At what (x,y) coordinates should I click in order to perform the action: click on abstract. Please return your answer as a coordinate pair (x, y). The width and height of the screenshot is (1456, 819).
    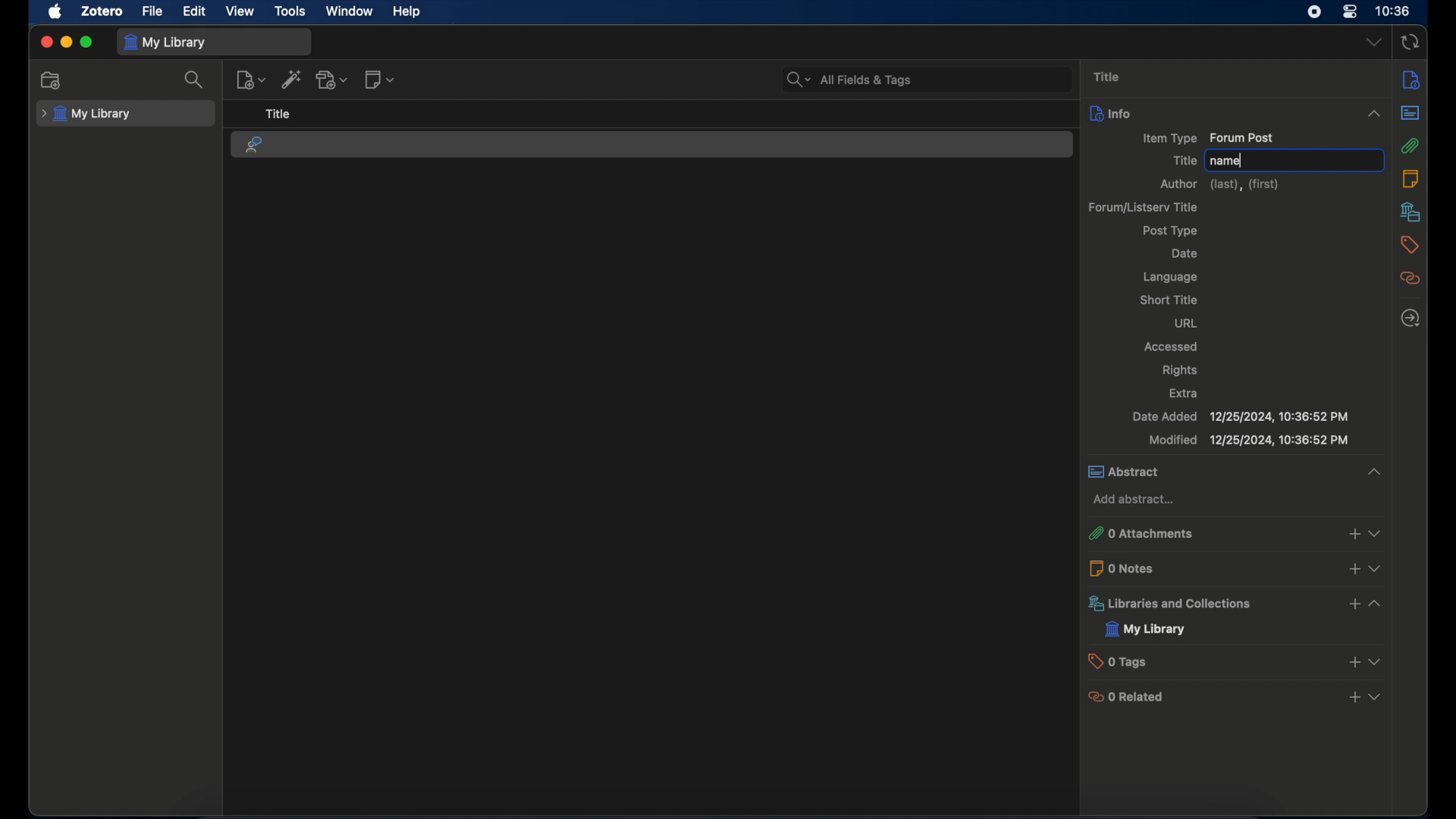
    Looking at the image, I should click on (1235, 472).